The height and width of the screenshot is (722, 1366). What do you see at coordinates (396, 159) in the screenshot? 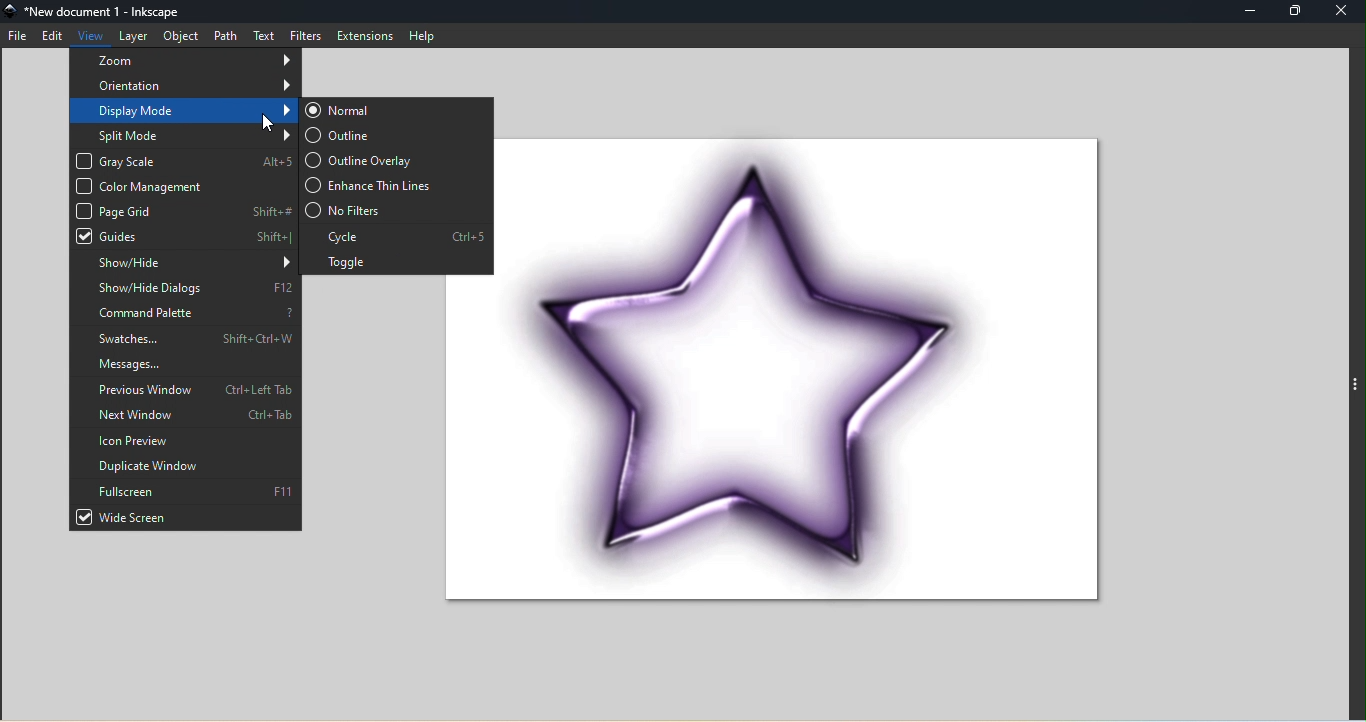
I see `Outline overlay` at bounding box center [396, 159].